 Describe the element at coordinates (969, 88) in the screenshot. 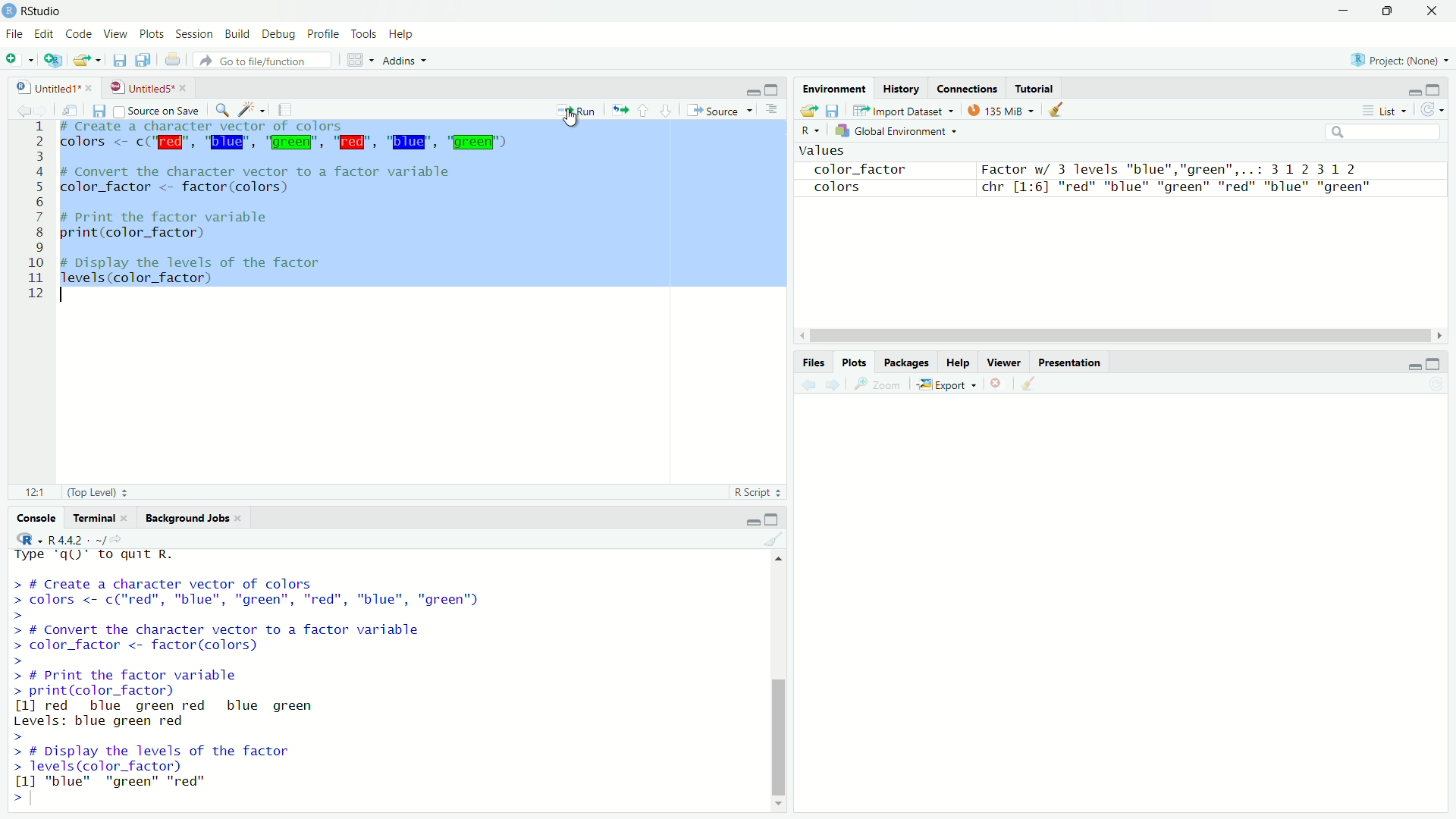

I see `Connections` at that location.